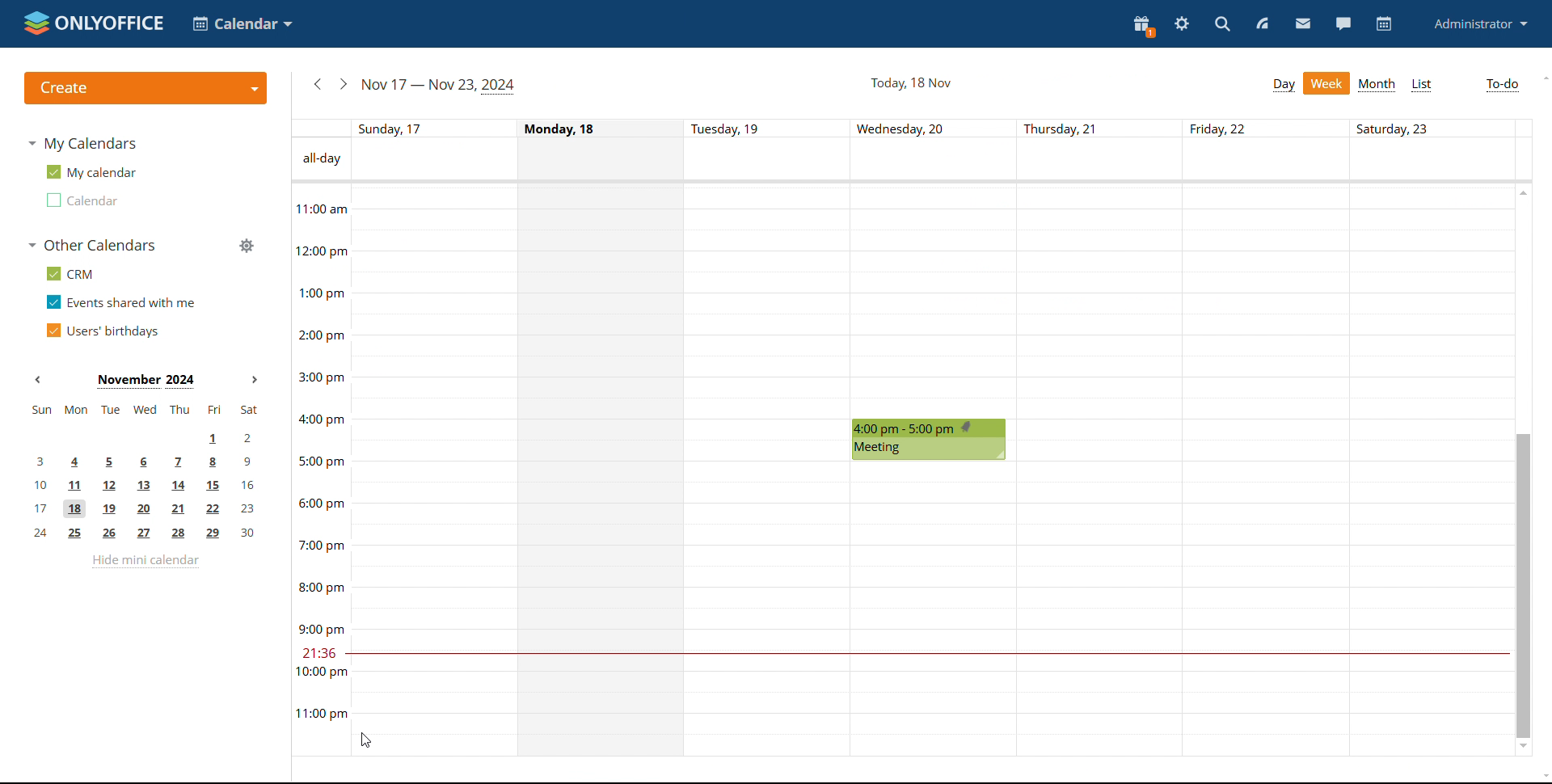 The width and height of the screenshot is (1552, 784). I want to click on all-day, so click(319, 159).